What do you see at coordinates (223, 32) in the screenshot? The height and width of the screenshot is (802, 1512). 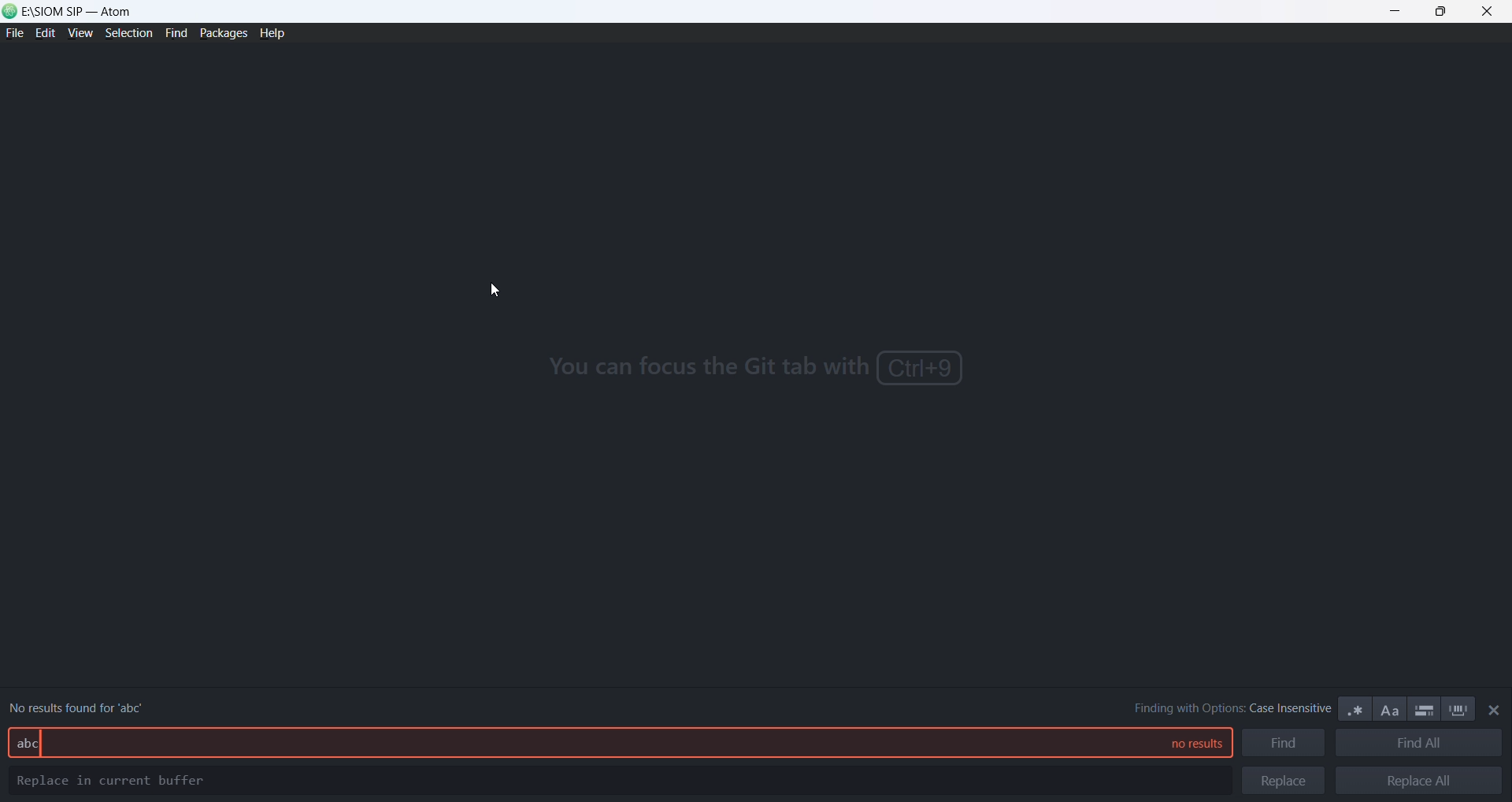 I see `packages` at bounding box center [223, 32].